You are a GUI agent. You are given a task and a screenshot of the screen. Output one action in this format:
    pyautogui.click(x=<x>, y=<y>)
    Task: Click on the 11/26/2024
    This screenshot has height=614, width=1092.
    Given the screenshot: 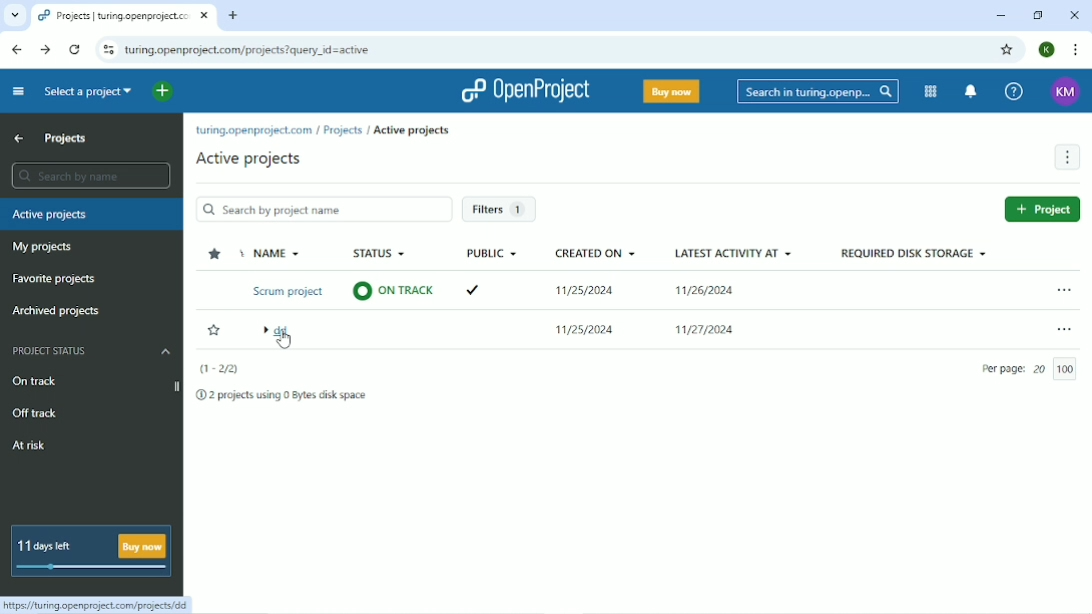 What is the action you would take?
    pyautogui.click(x=706, y=290)
    